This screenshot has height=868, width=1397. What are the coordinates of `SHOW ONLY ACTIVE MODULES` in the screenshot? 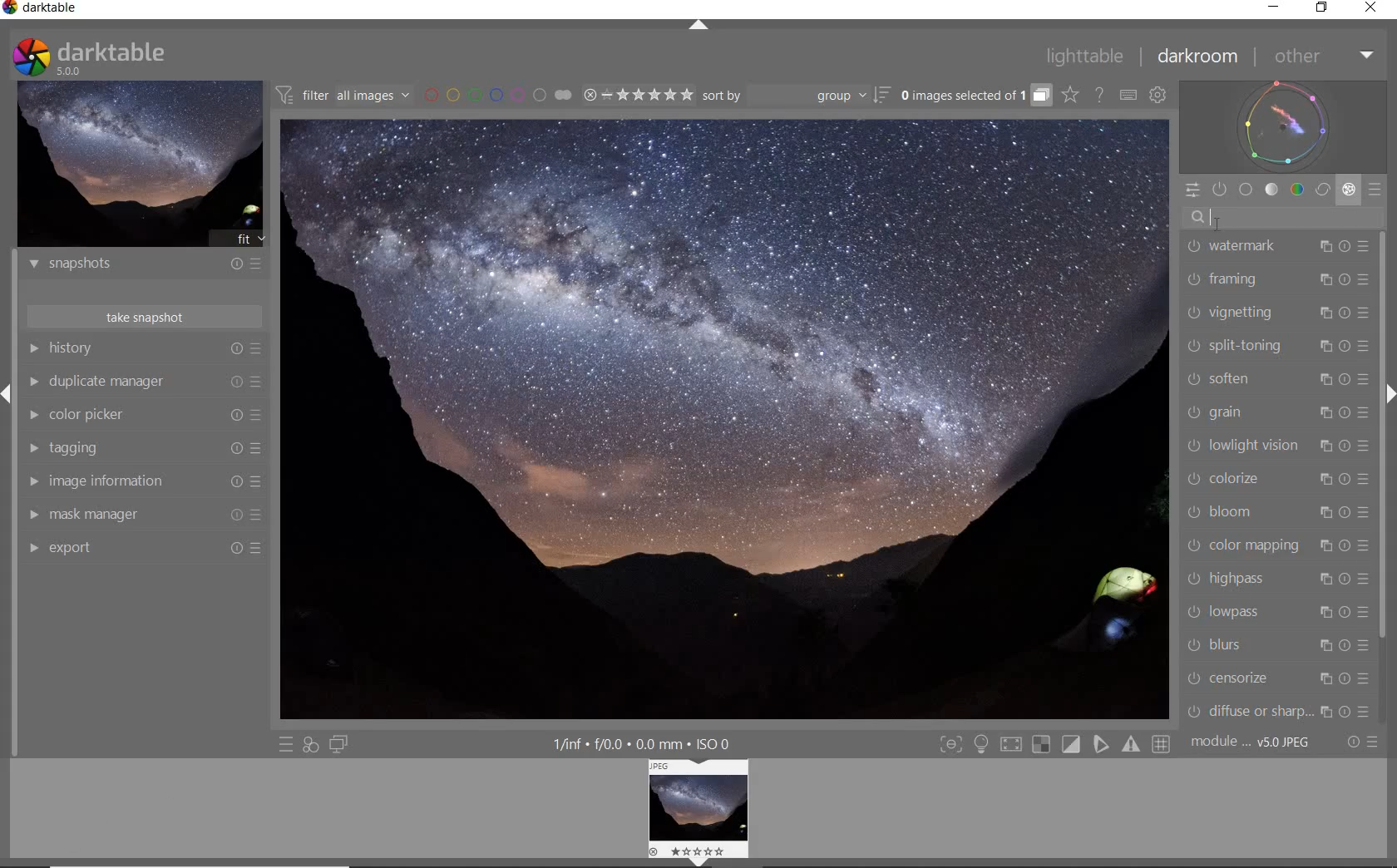 It's located at (1220, 189).